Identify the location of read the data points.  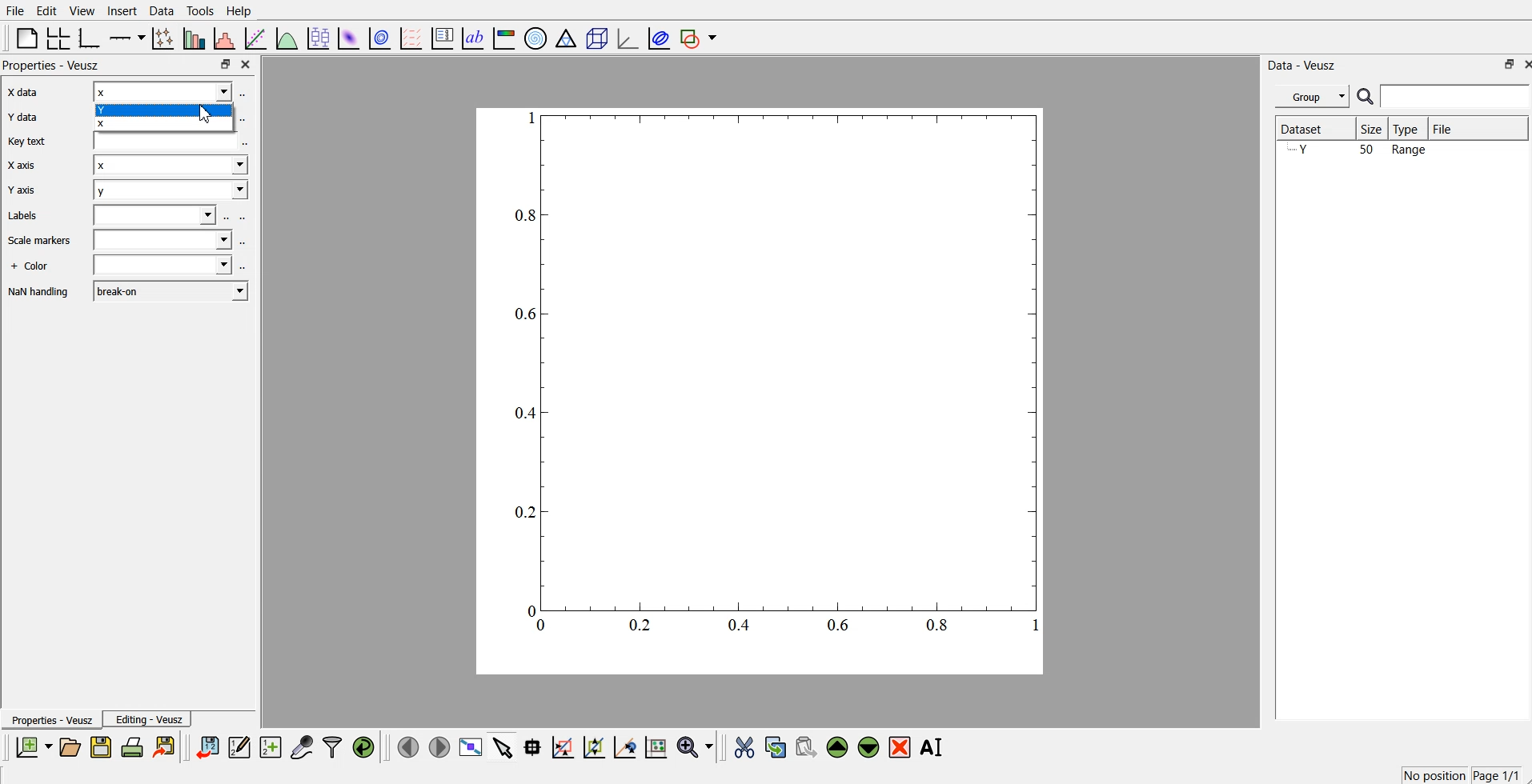
(535, 749).